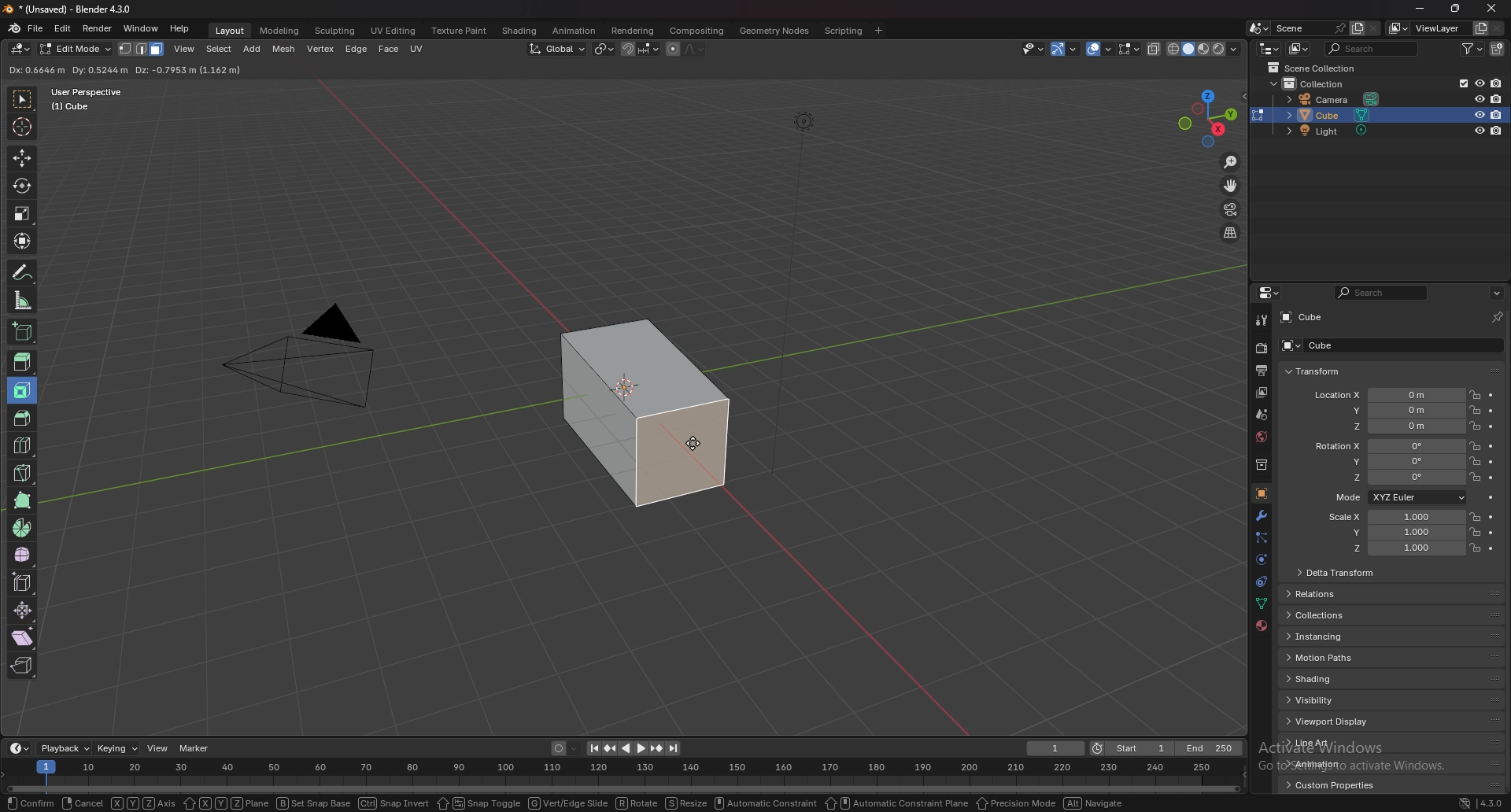 The image size is (1511, 812). I want to click on cube, so click(1312, 345).